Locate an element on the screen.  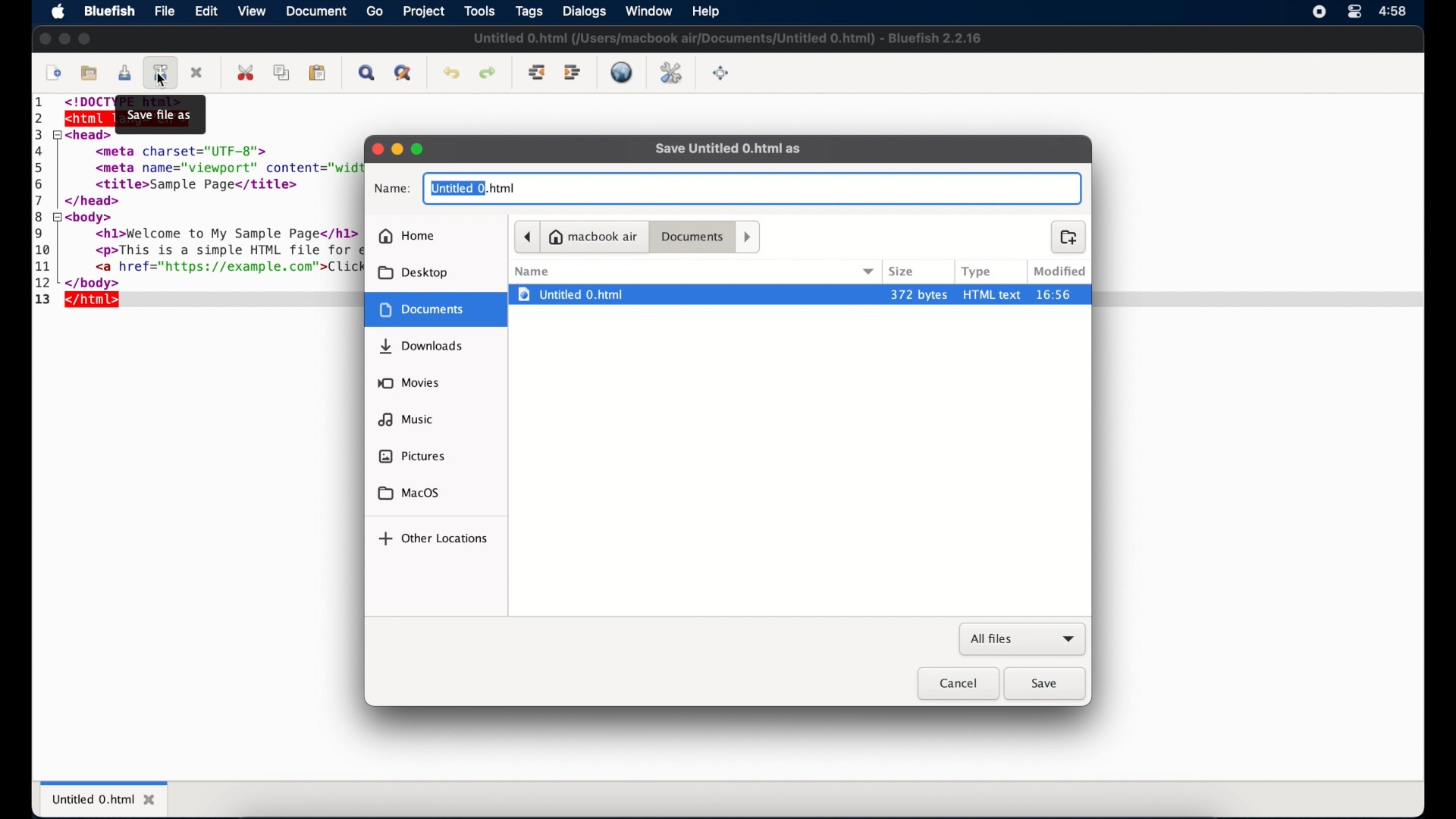
bluefish is located at coordinates (110, 11).